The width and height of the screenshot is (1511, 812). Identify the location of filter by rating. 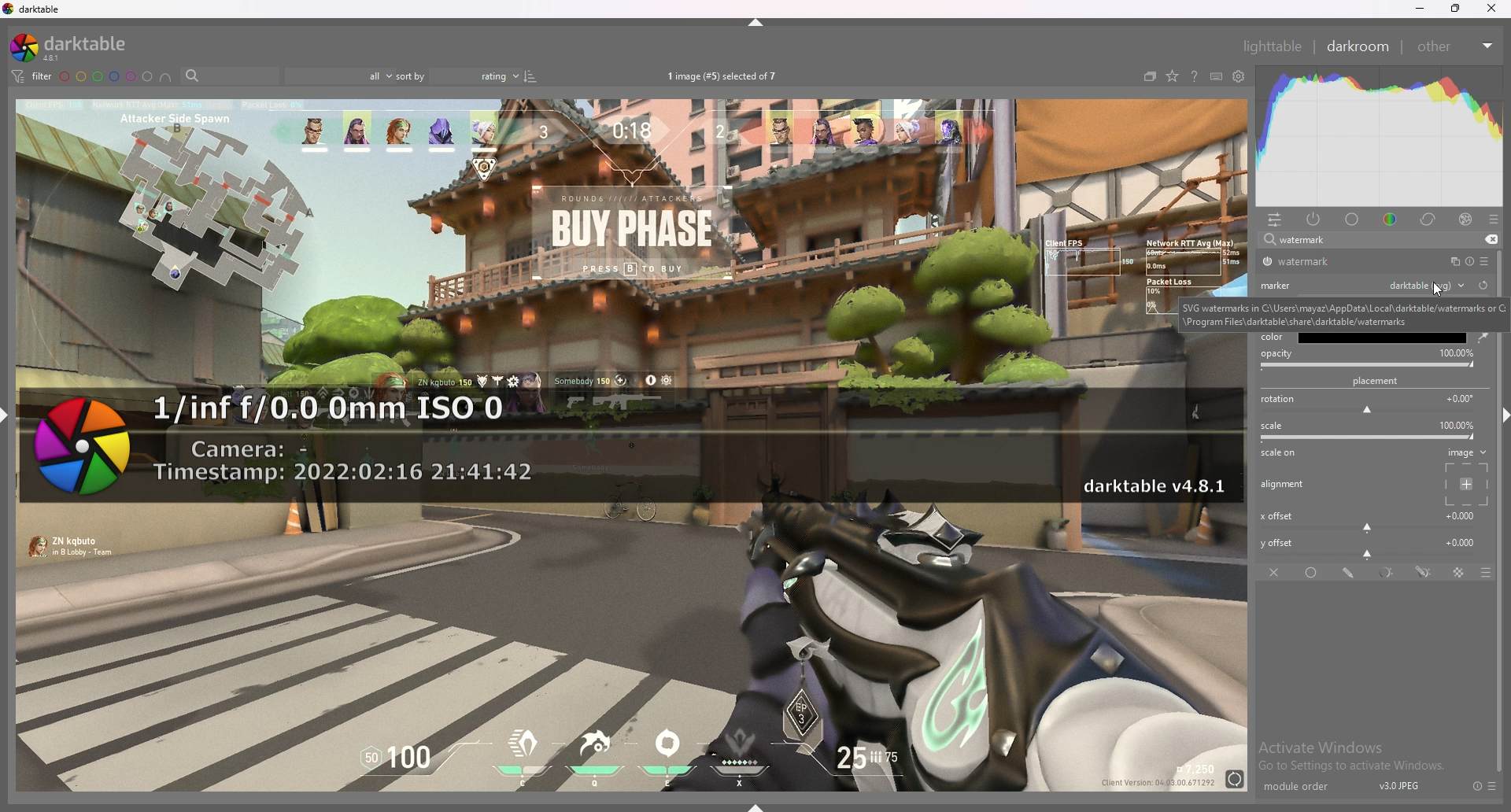
(338, 76).